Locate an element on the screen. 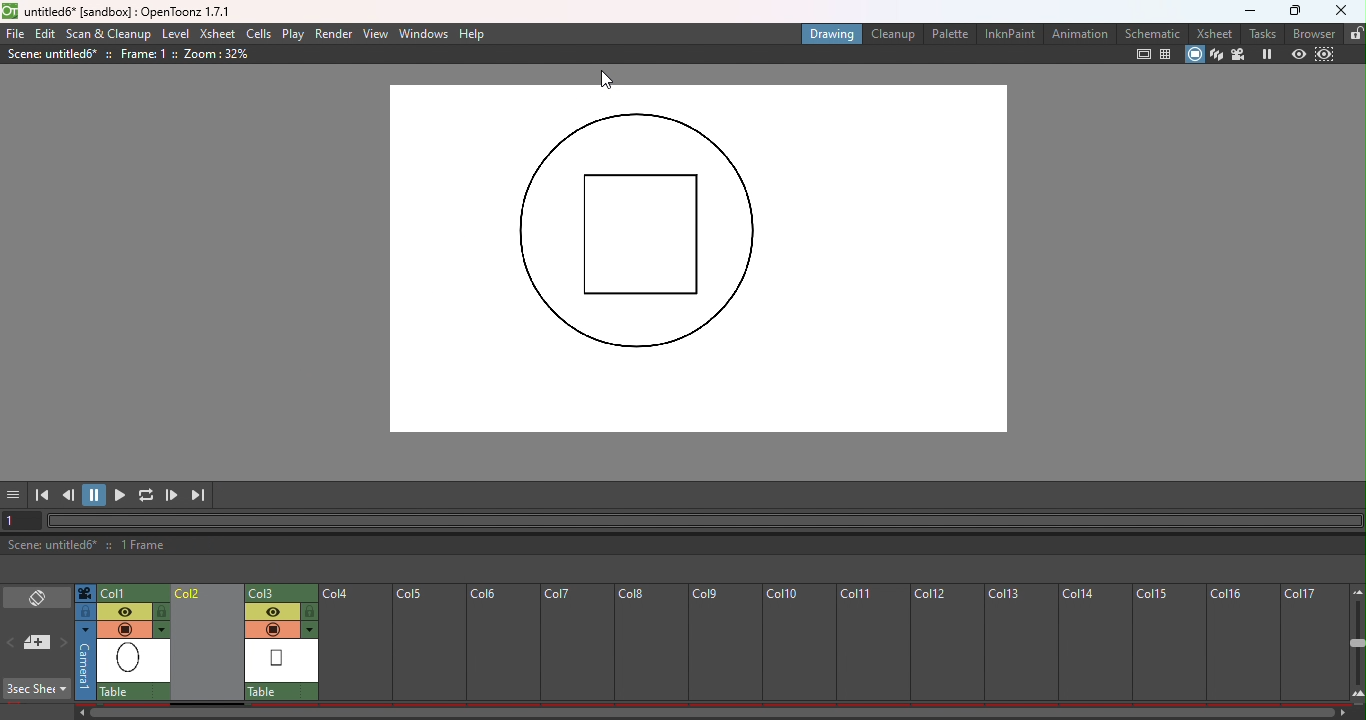  First frame is located at coordinates (42, 495).